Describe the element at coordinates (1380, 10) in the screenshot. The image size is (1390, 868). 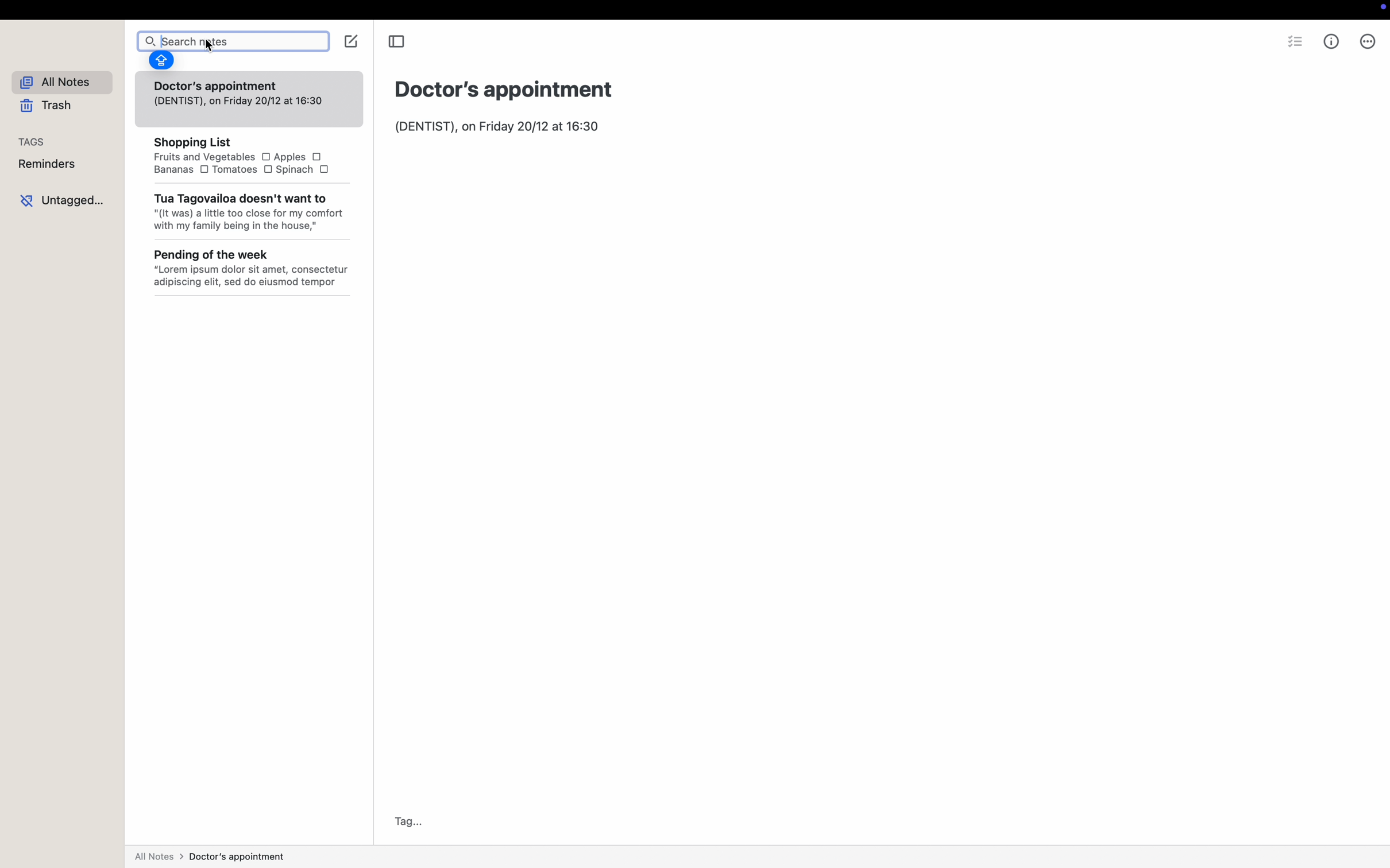
I see `screen controls` at that location.